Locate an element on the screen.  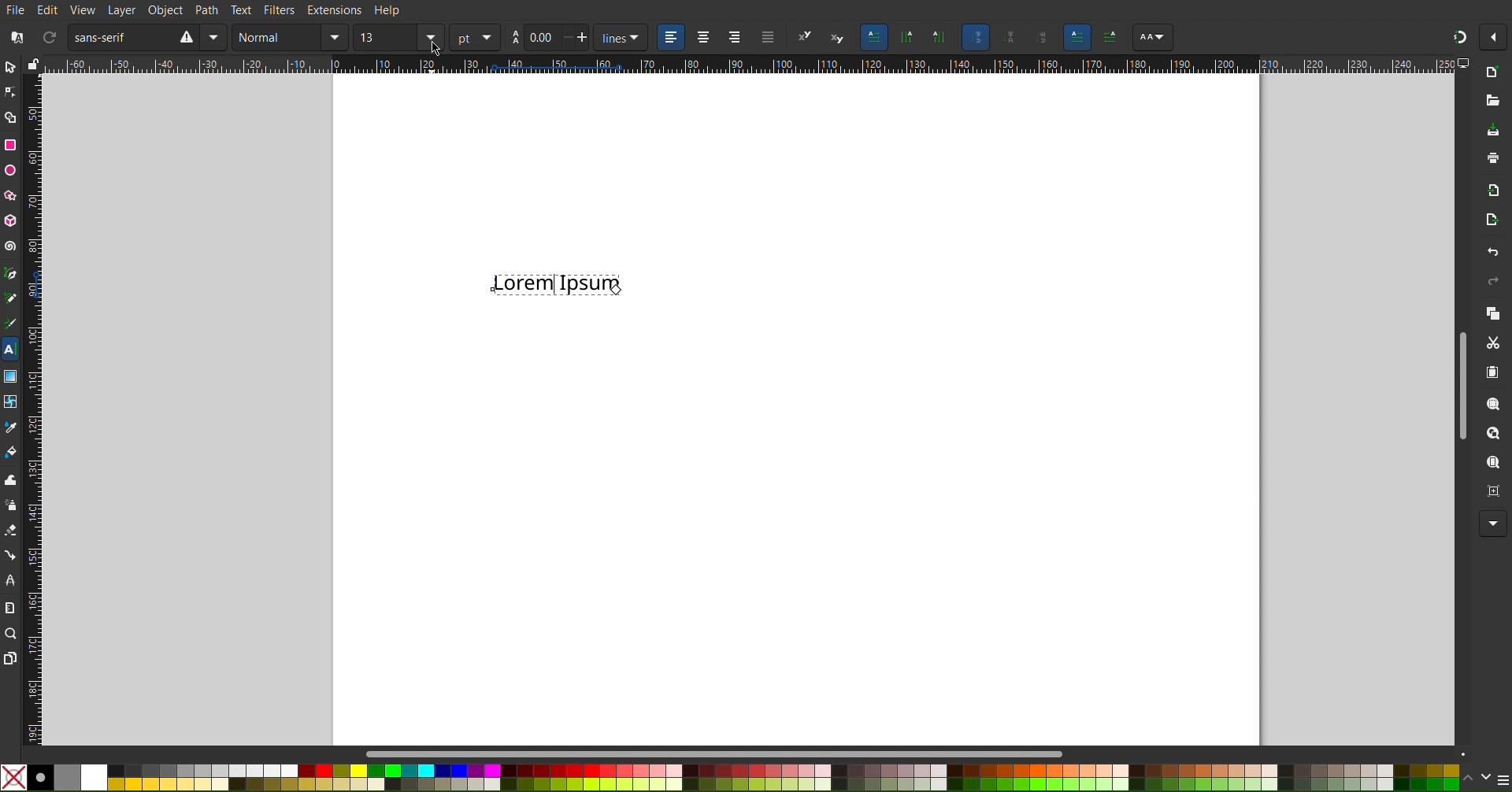
Zoom Selection is located at coordinates (1493, 403).